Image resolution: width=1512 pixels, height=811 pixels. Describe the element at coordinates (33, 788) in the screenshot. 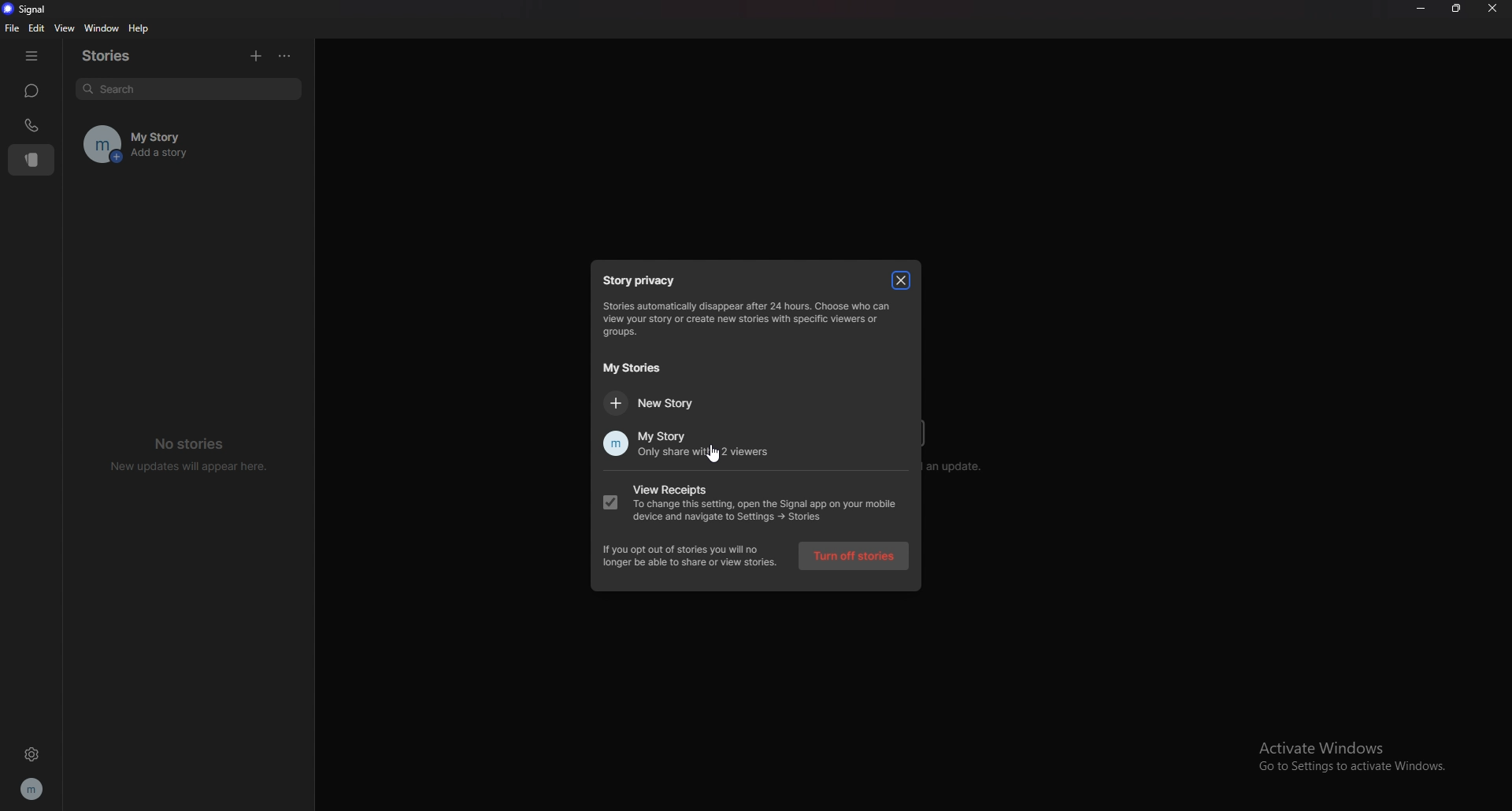

I see `profile` at that location.